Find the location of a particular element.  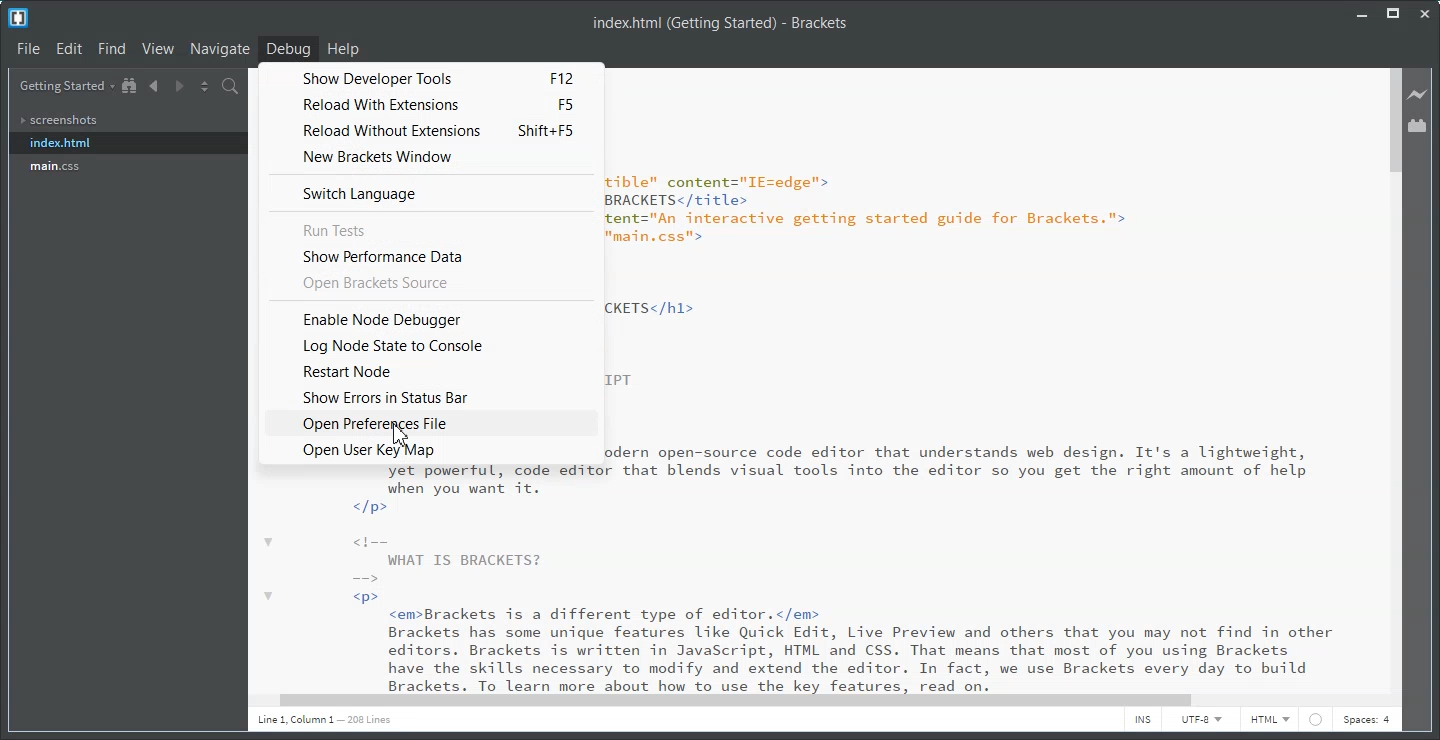

Spaces: 4 is located at coordinates (1366, 721).